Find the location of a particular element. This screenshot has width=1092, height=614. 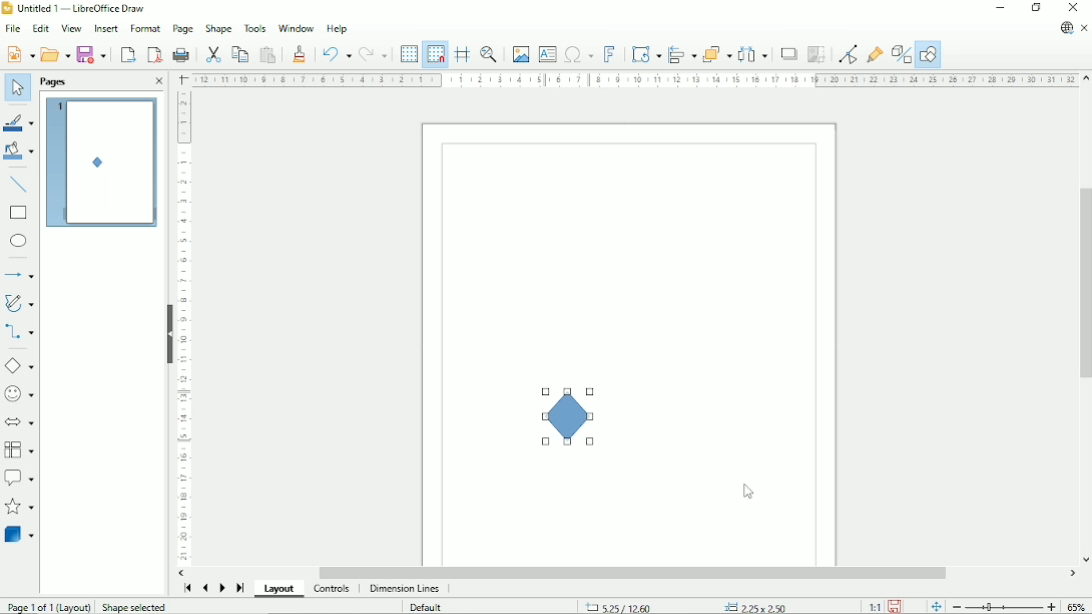

Restore down is located at coordinates (1036, 7).